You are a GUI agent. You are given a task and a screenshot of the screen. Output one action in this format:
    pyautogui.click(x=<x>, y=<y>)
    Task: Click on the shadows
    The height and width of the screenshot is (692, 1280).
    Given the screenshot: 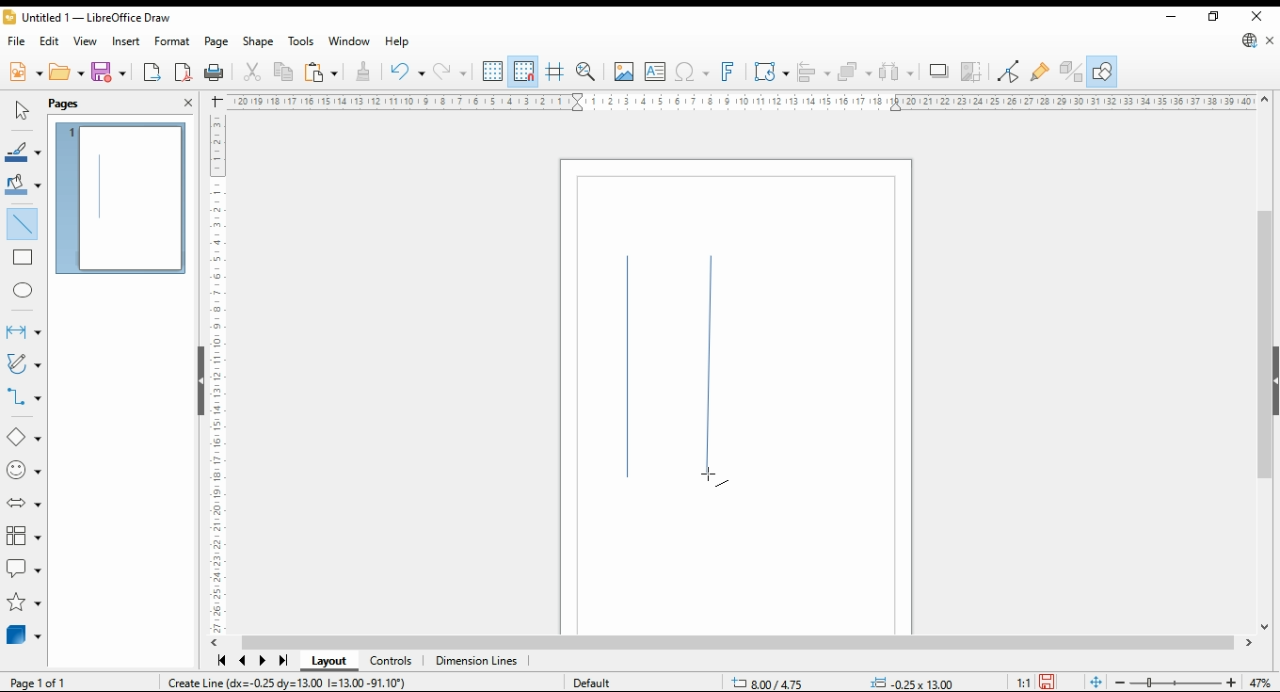 What is the action you would take?
    pyautogui.click(x=938, y=72)
    